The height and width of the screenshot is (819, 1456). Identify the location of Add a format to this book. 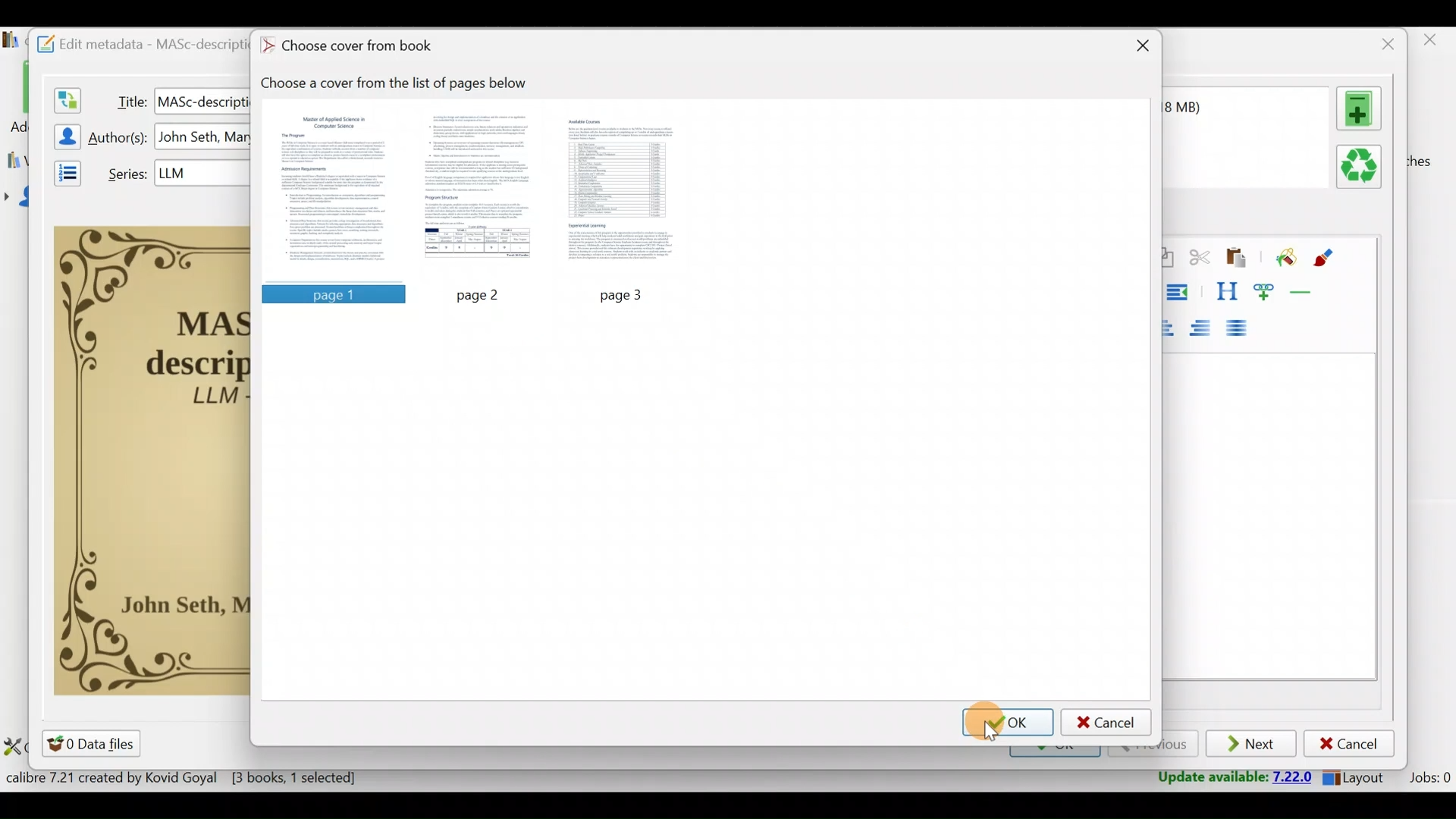
(1362, 108).